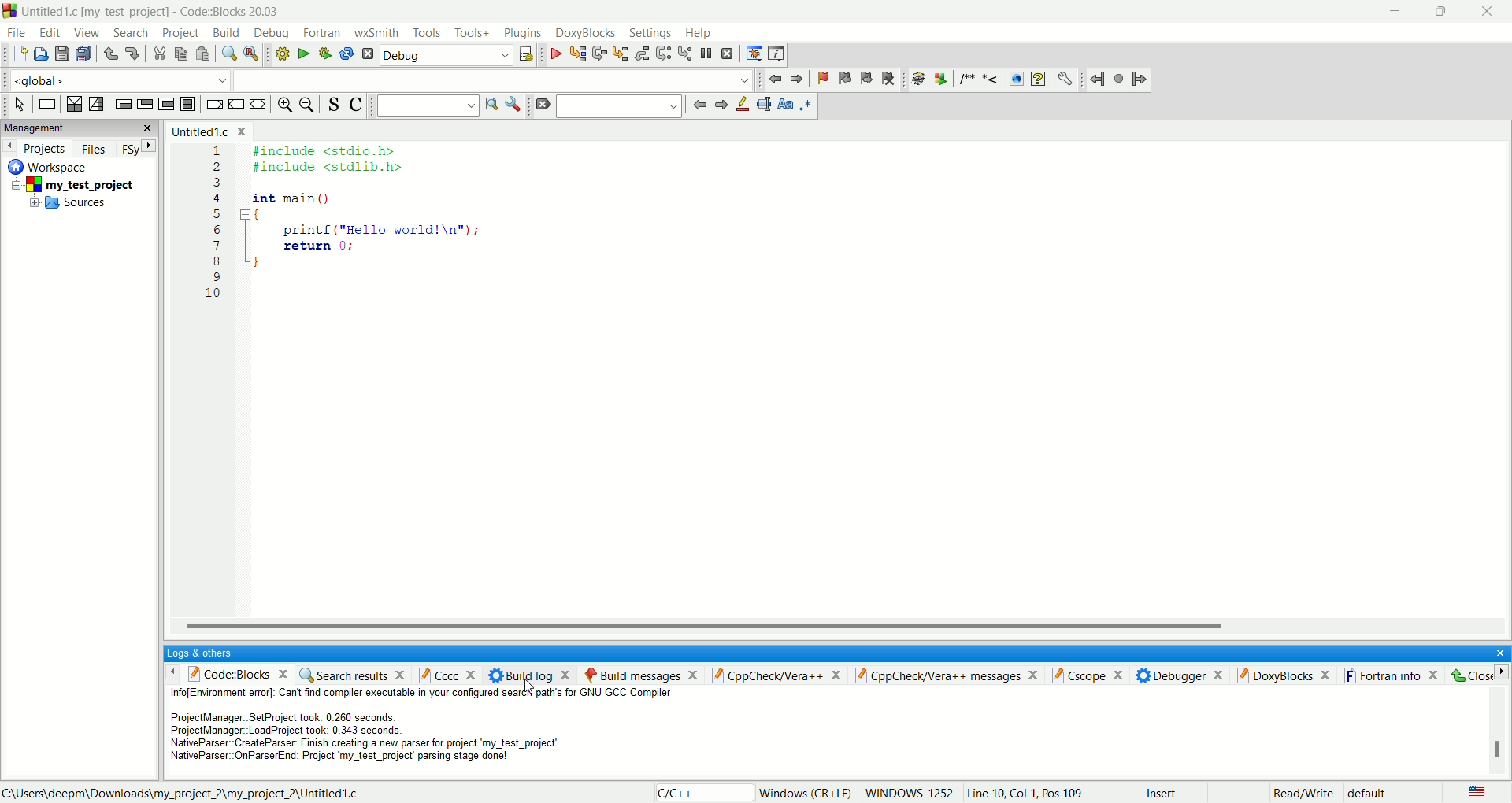  Describe the element at coordinates (180, 34) in the screenshot. I see `project` at that location.